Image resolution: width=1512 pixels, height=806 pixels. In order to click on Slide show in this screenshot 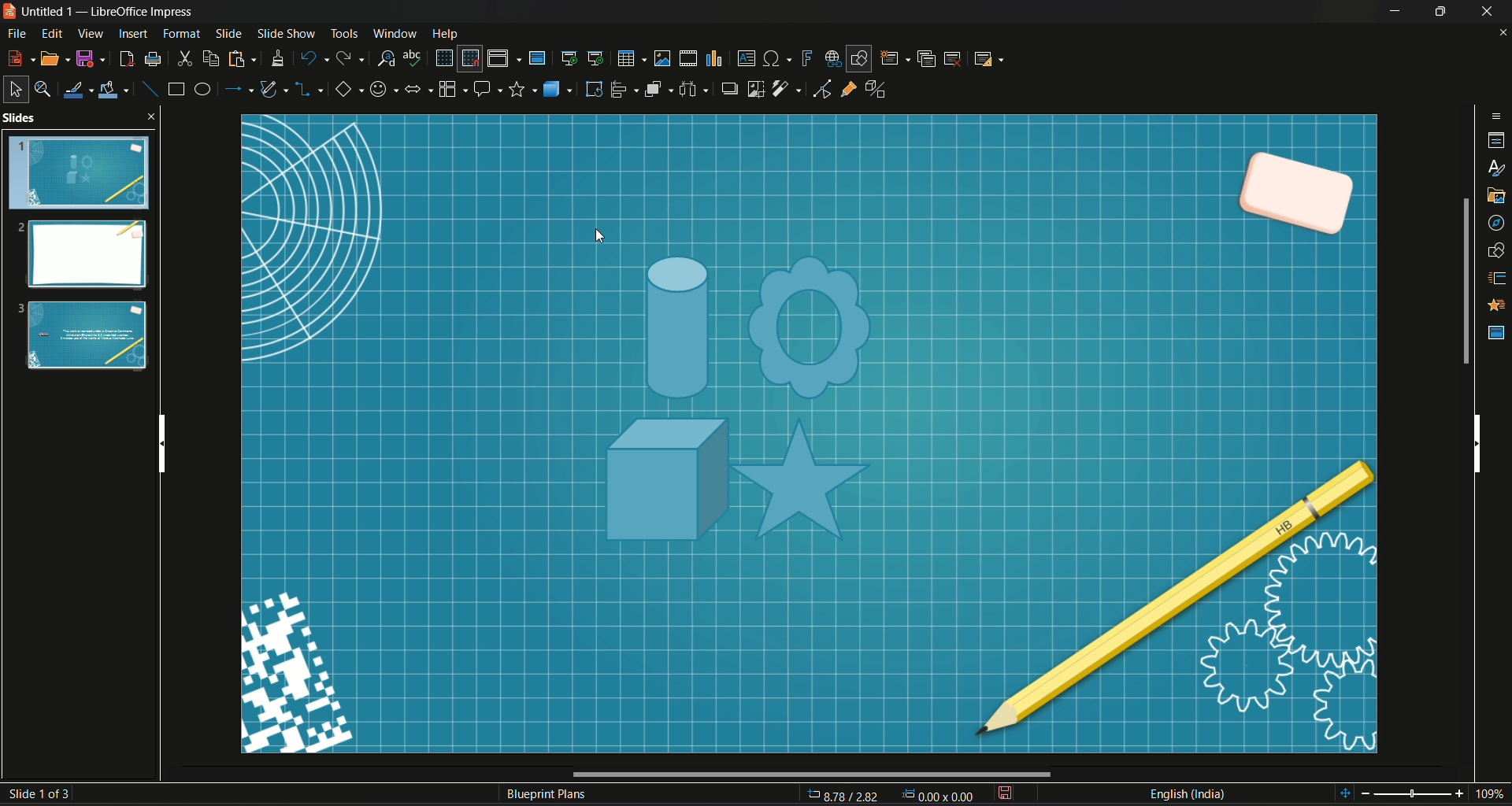, I will do `click(285, 31)`.